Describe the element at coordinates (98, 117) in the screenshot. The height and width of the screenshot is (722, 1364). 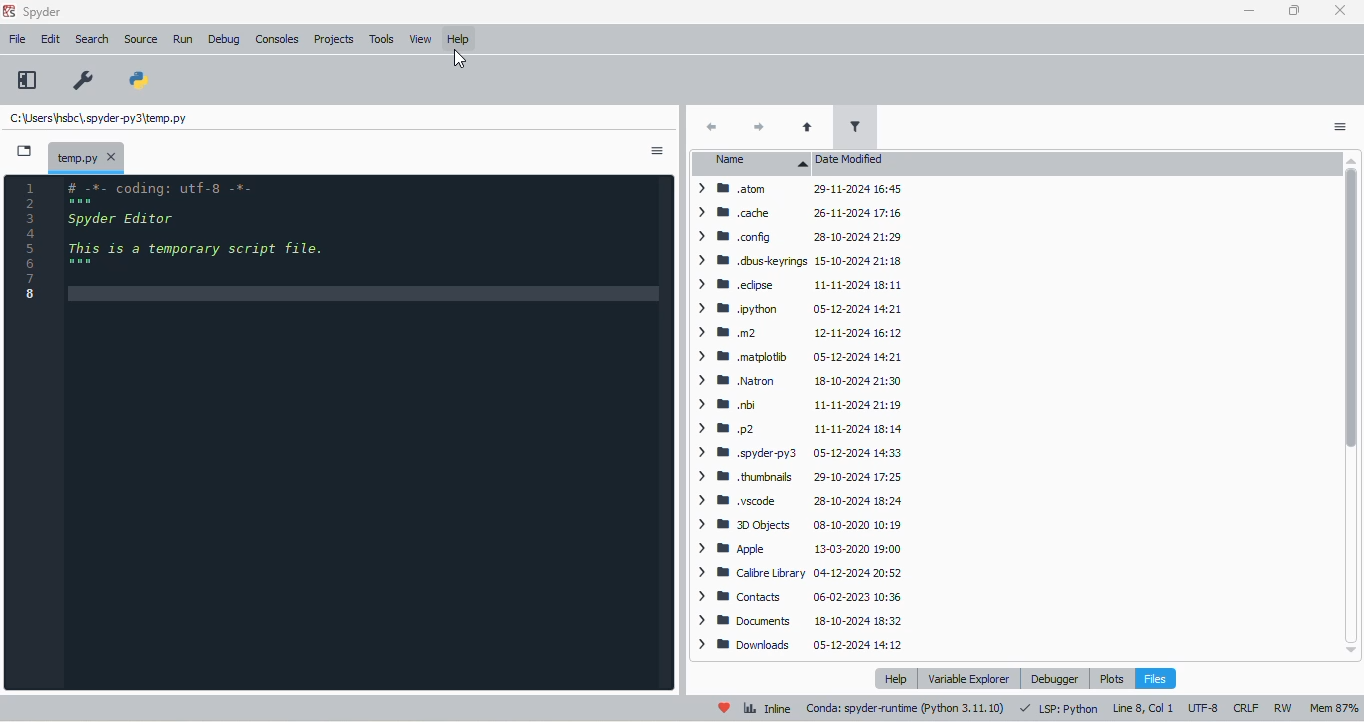
I see `temporary file` at that location.